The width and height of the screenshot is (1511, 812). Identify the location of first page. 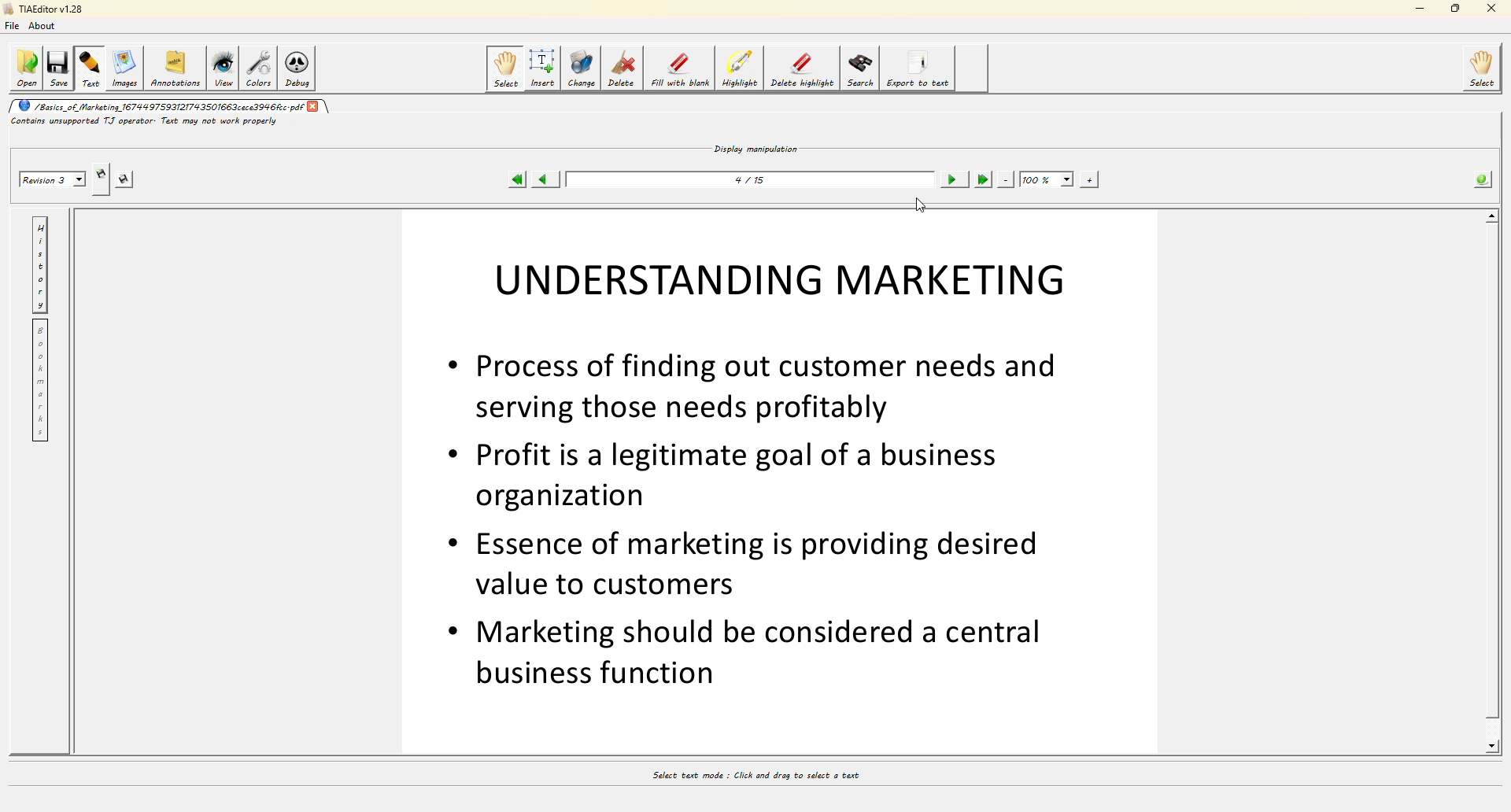
(515, 179).